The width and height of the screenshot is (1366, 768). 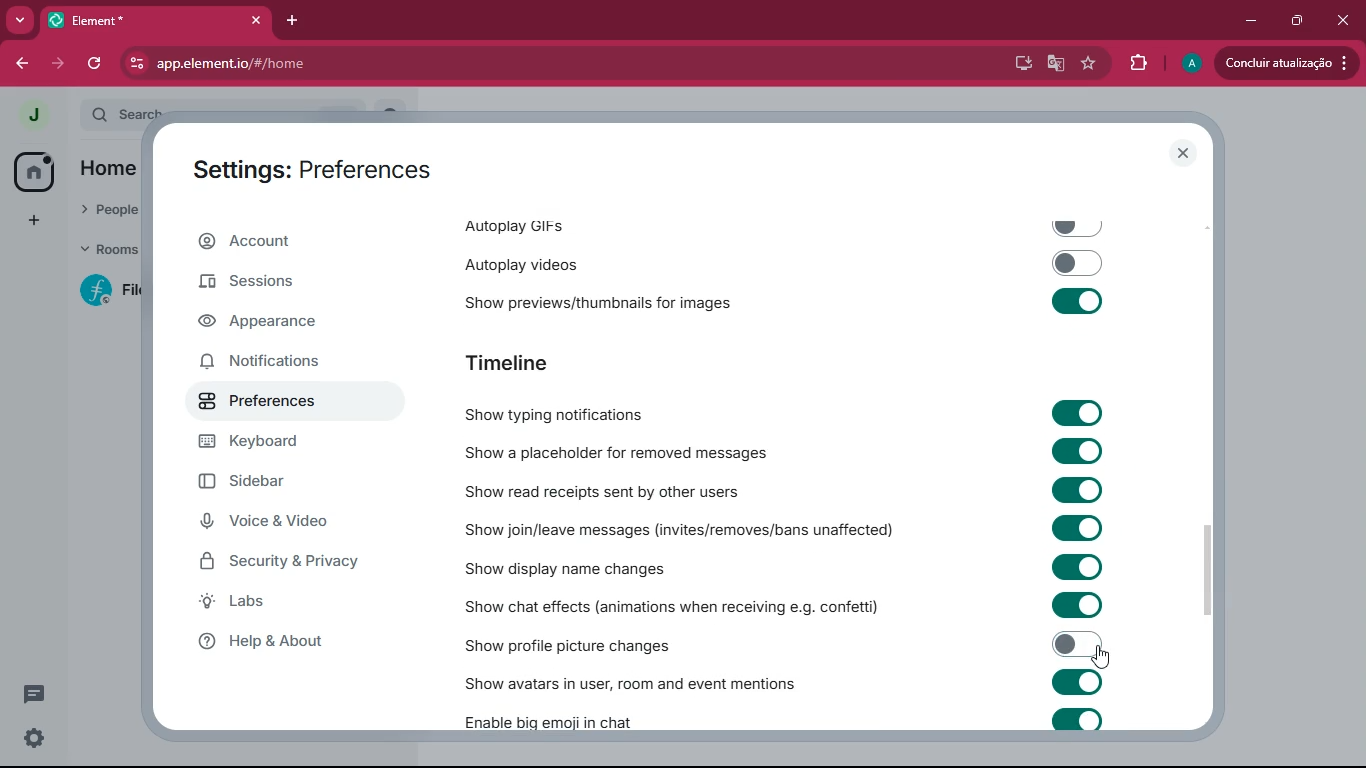 I want to click on account, so click(x=296, y=244).